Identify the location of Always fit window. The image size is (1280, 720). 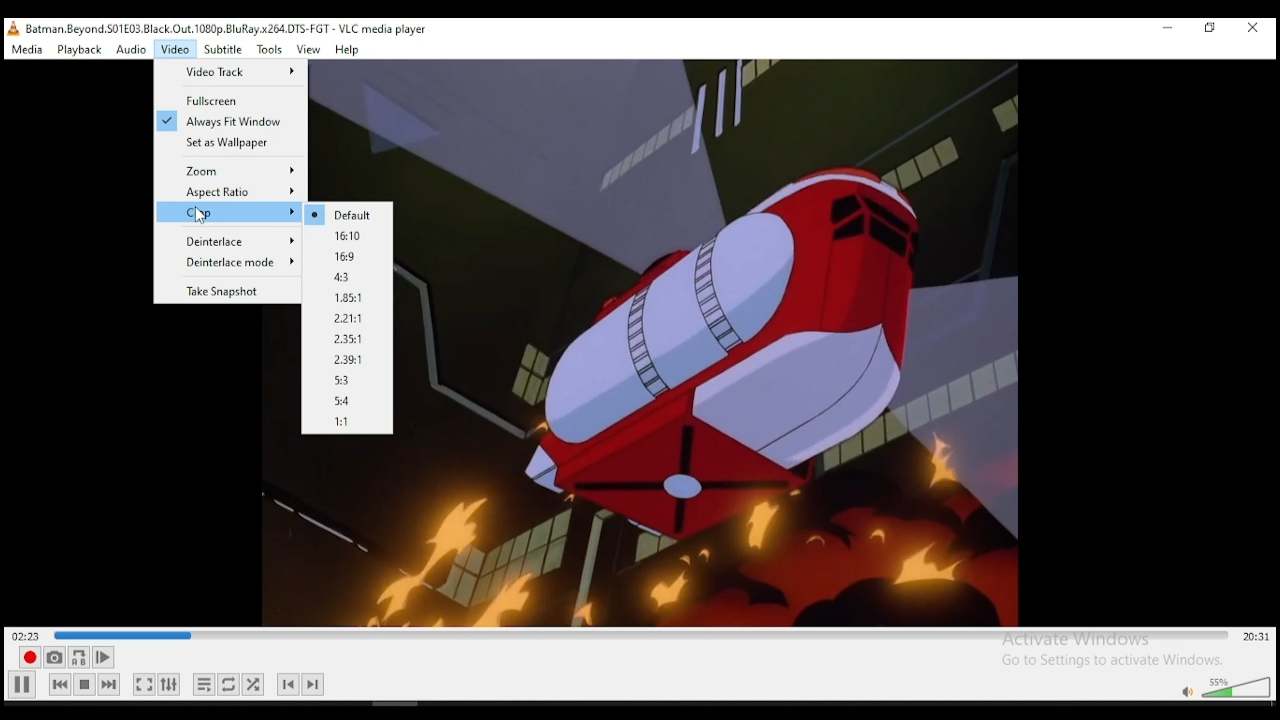
(225, 120).